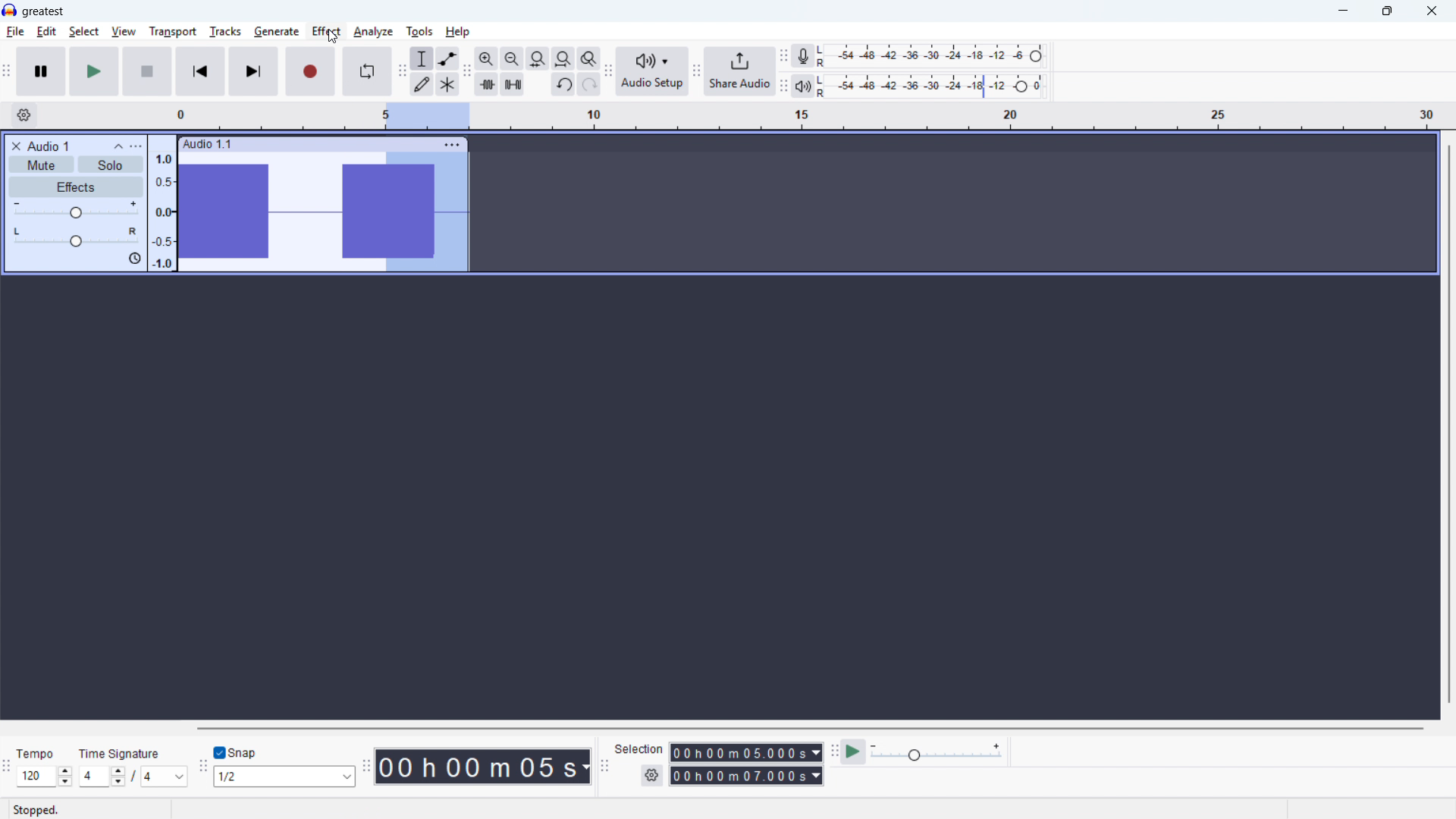 This screenshot has width=1456, height=819. What do you see at coordinates (200, 71) in the screenshot?
I see `Skip to start ` at bounding box center [200, 71].